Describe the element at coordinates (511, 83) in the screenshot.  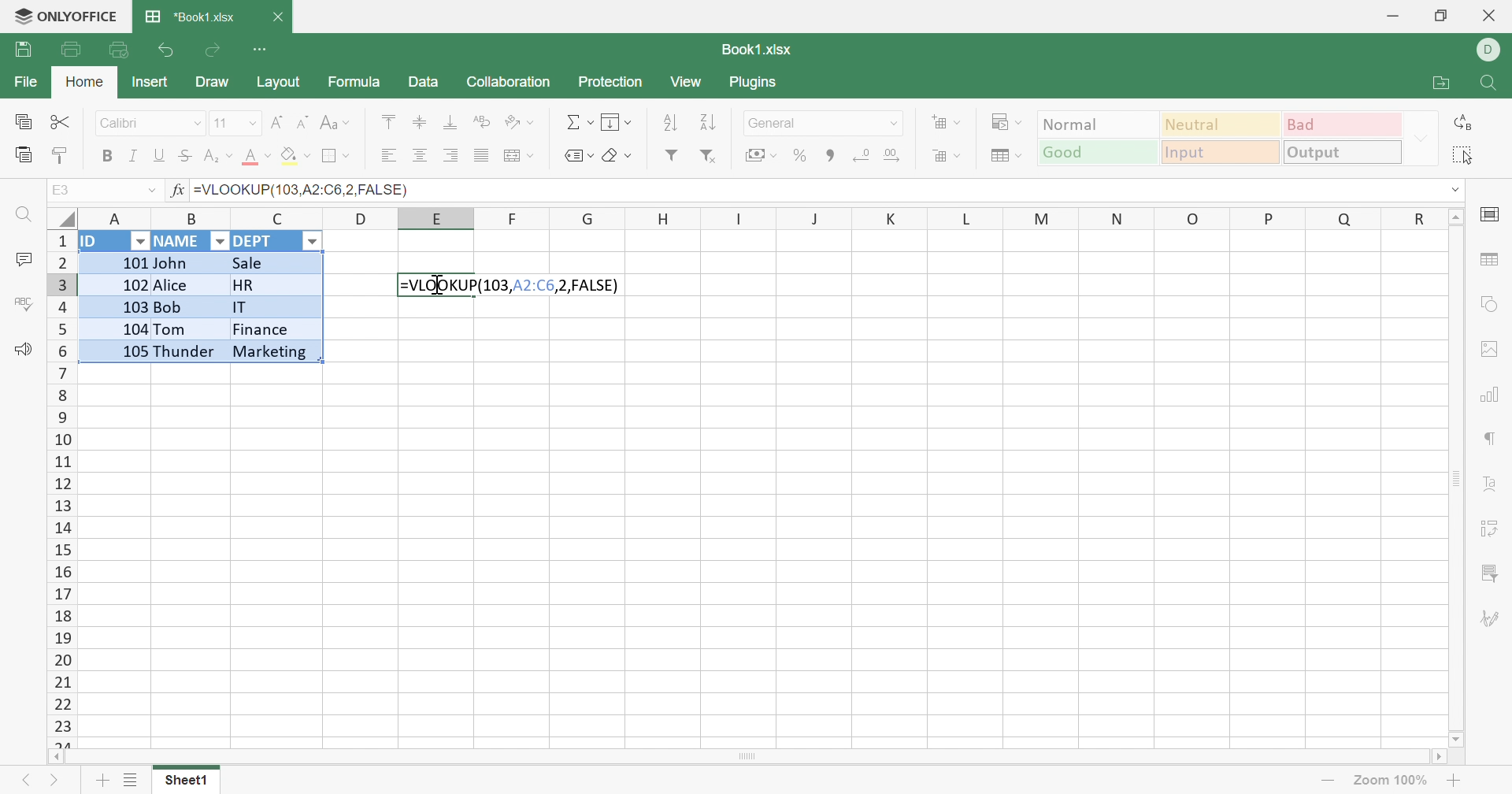
I see `Collaboration` at that location.